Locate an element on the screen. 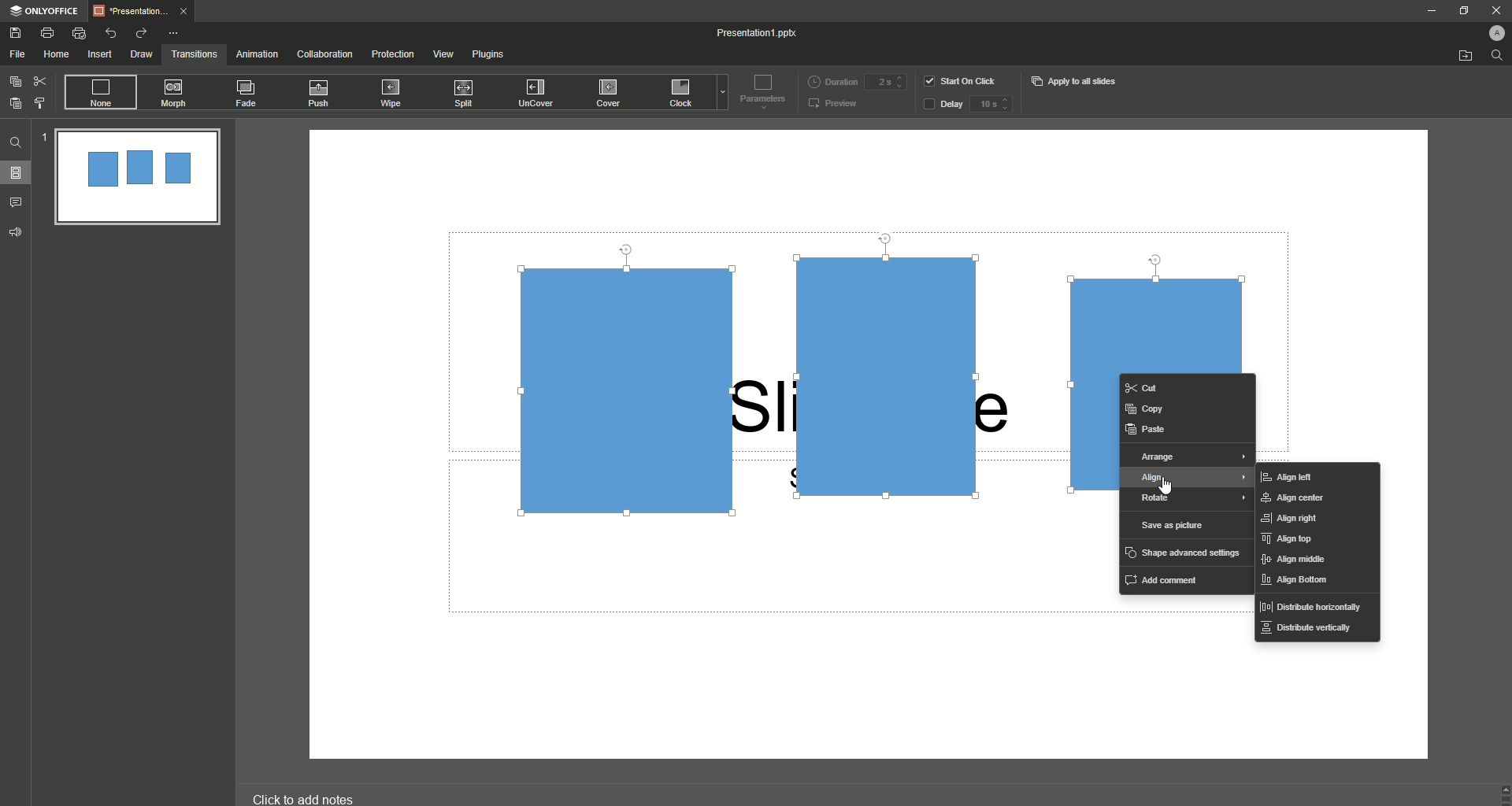 The image size is (1512, 806). Plugins is located at coordinates (491, 57).